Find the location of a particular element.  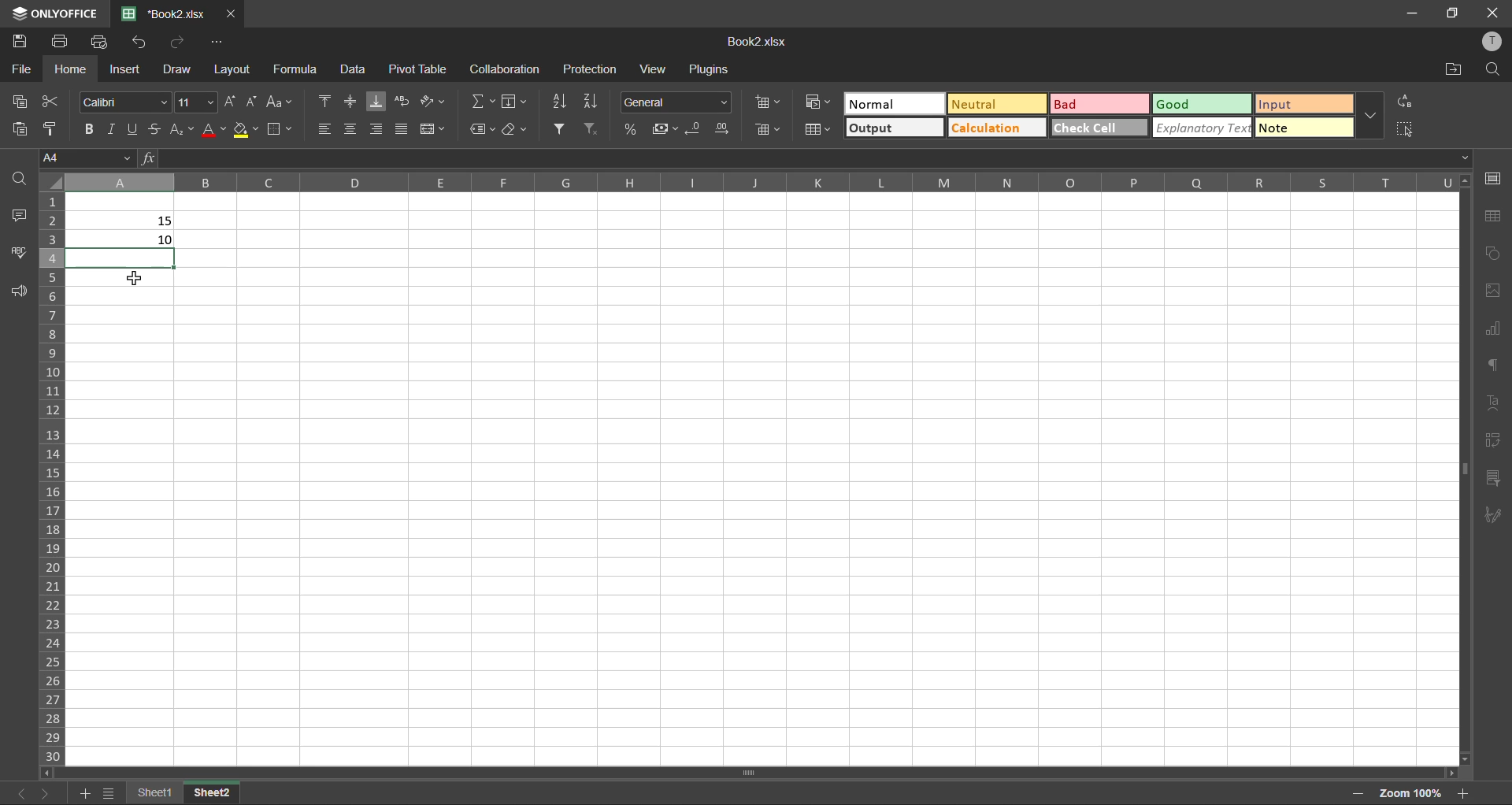

italic is located at coordinates (113, 127).